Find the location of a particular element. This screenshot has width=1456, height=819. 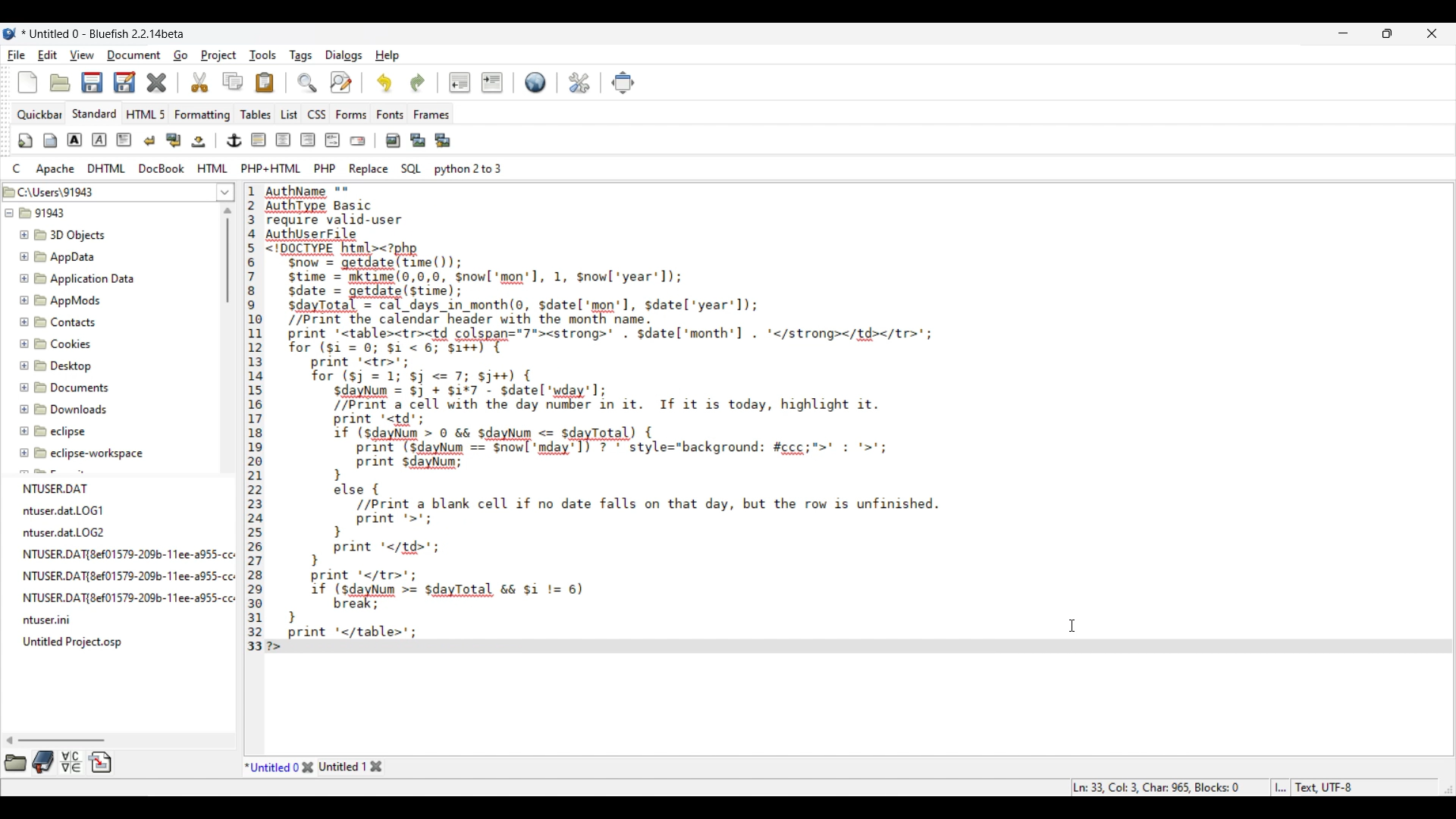

Copy is located at coordinates (233, 81).